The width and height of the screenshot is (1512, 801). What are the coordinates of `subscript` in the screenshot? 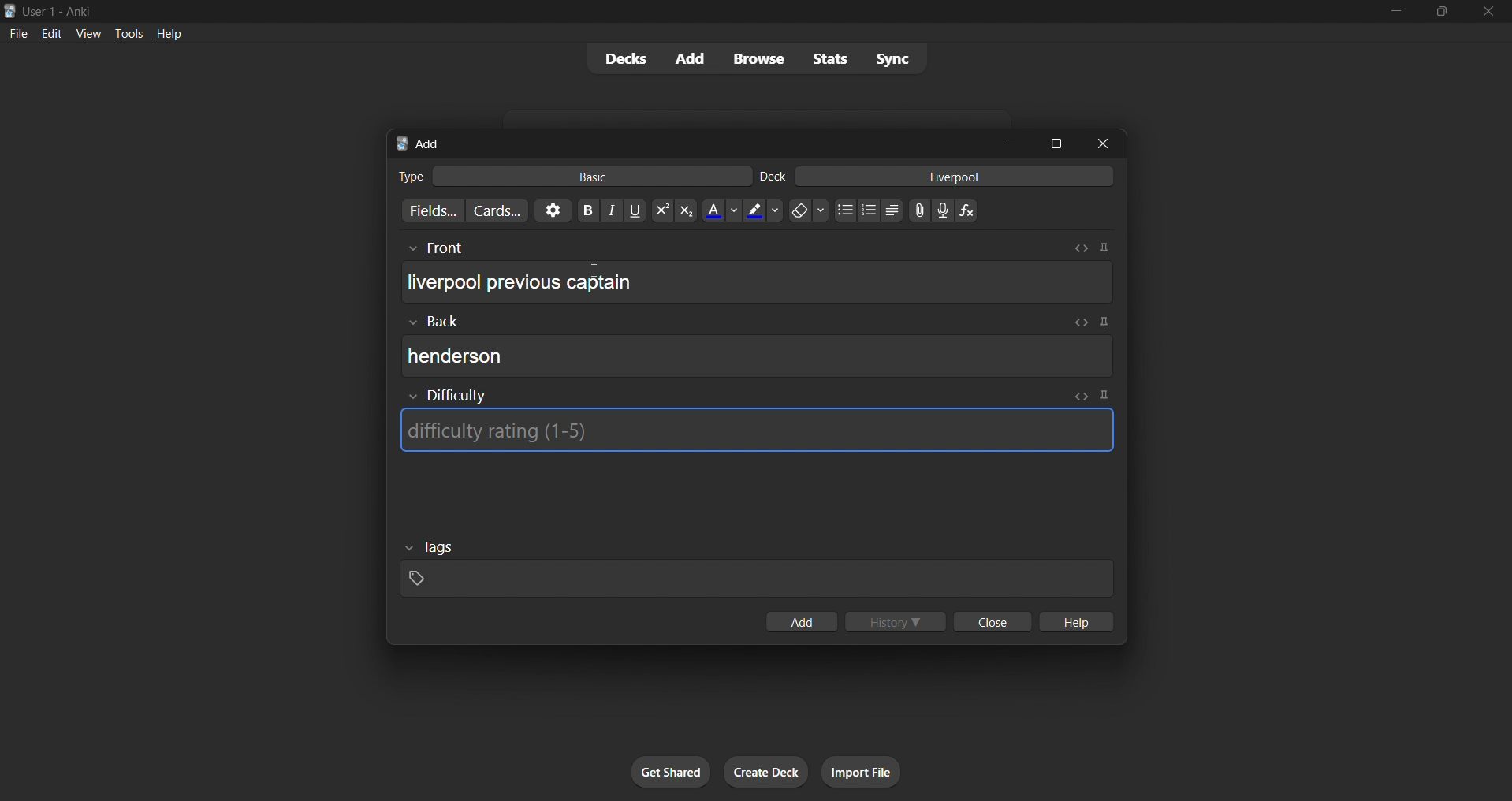 It's located at (684, 210).